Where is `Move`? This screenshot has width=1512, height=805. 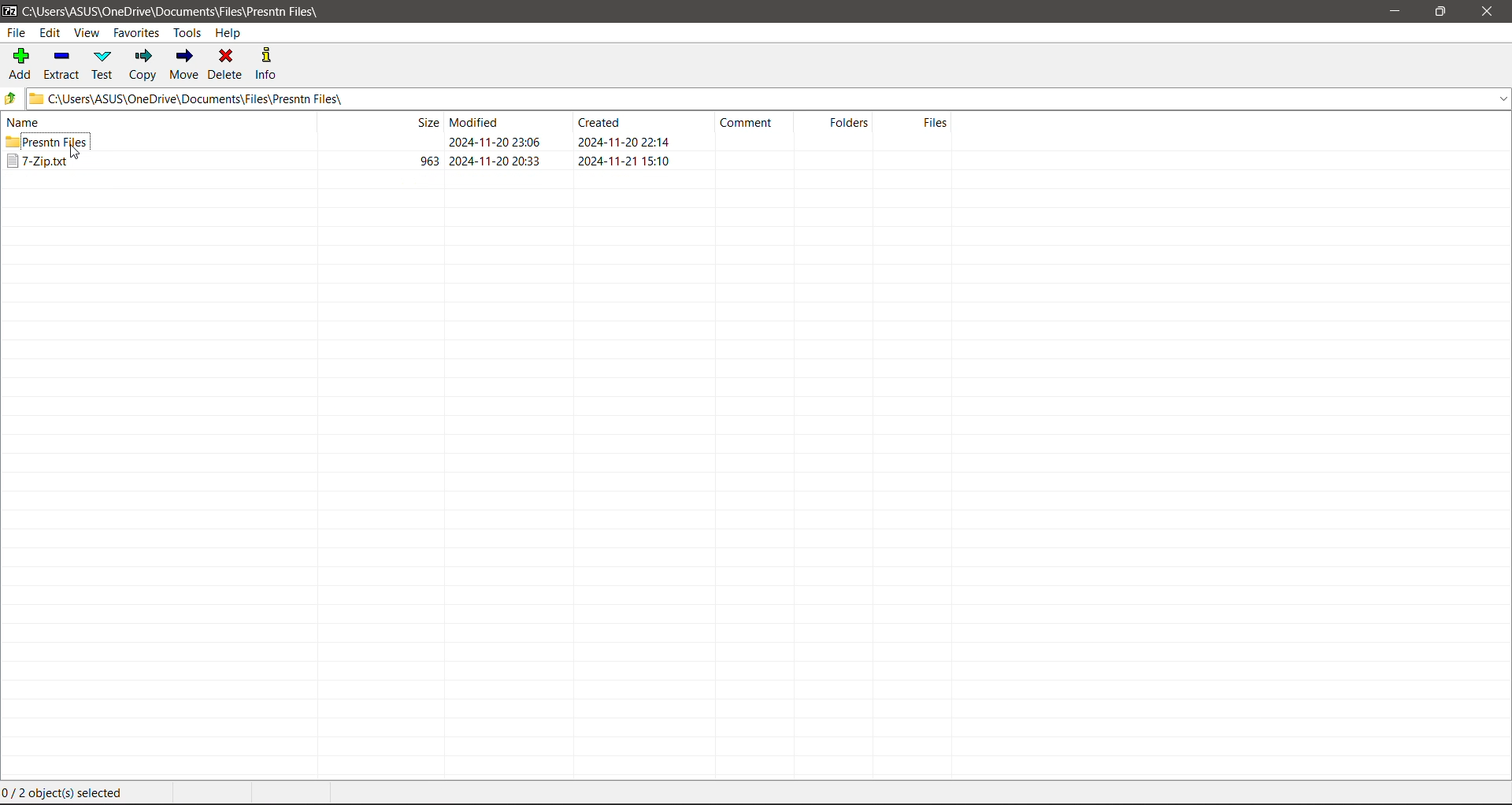 Move is located at coordinates (187, 65).